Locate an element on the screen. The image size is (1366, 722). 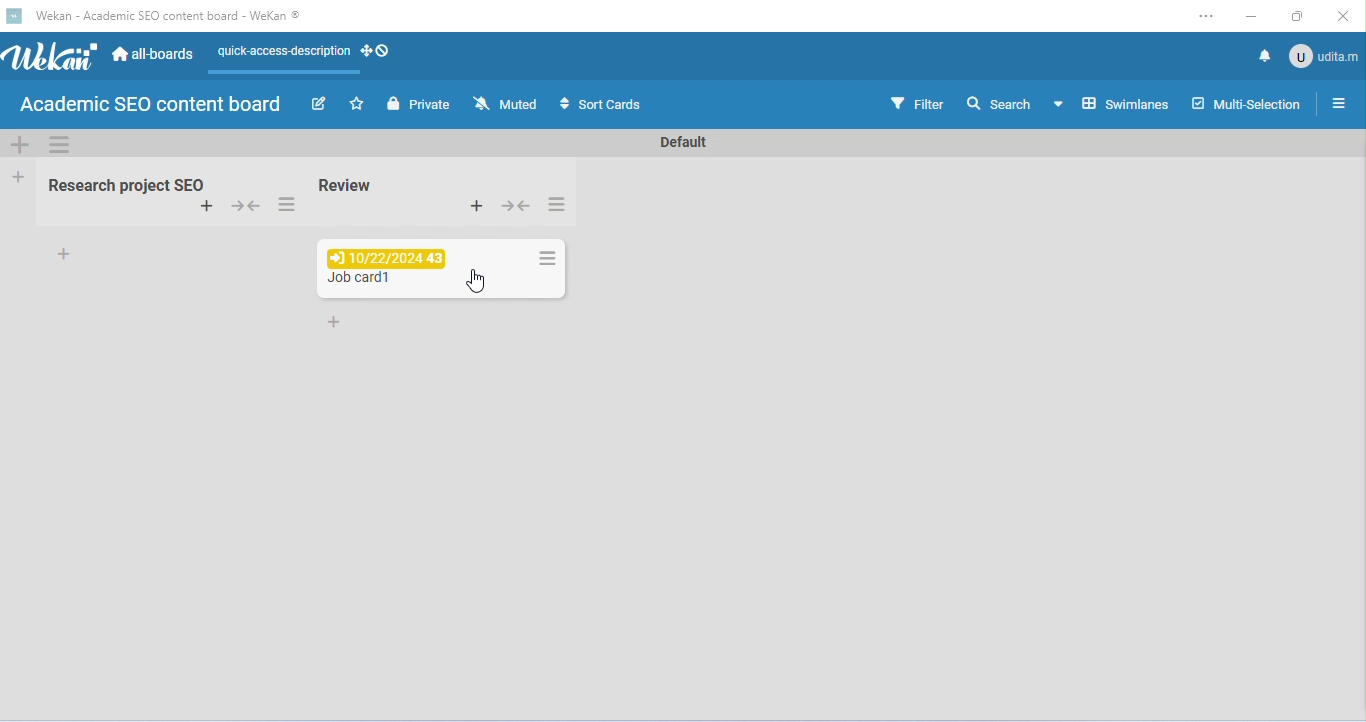
star this board is located at coordinates (358, 104).